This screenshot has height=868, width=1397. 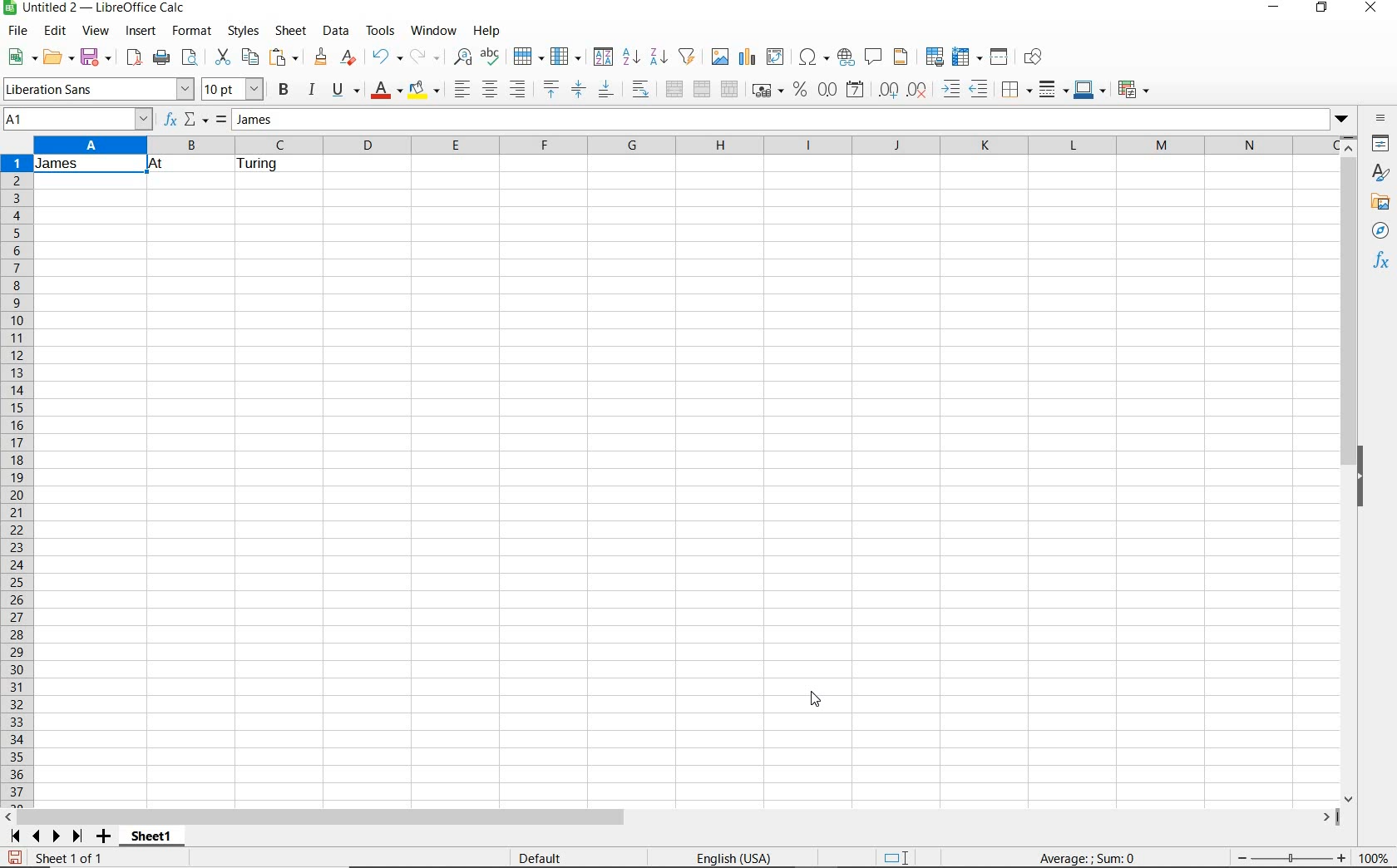 I want to click on underline, so click(x=346, y=90).